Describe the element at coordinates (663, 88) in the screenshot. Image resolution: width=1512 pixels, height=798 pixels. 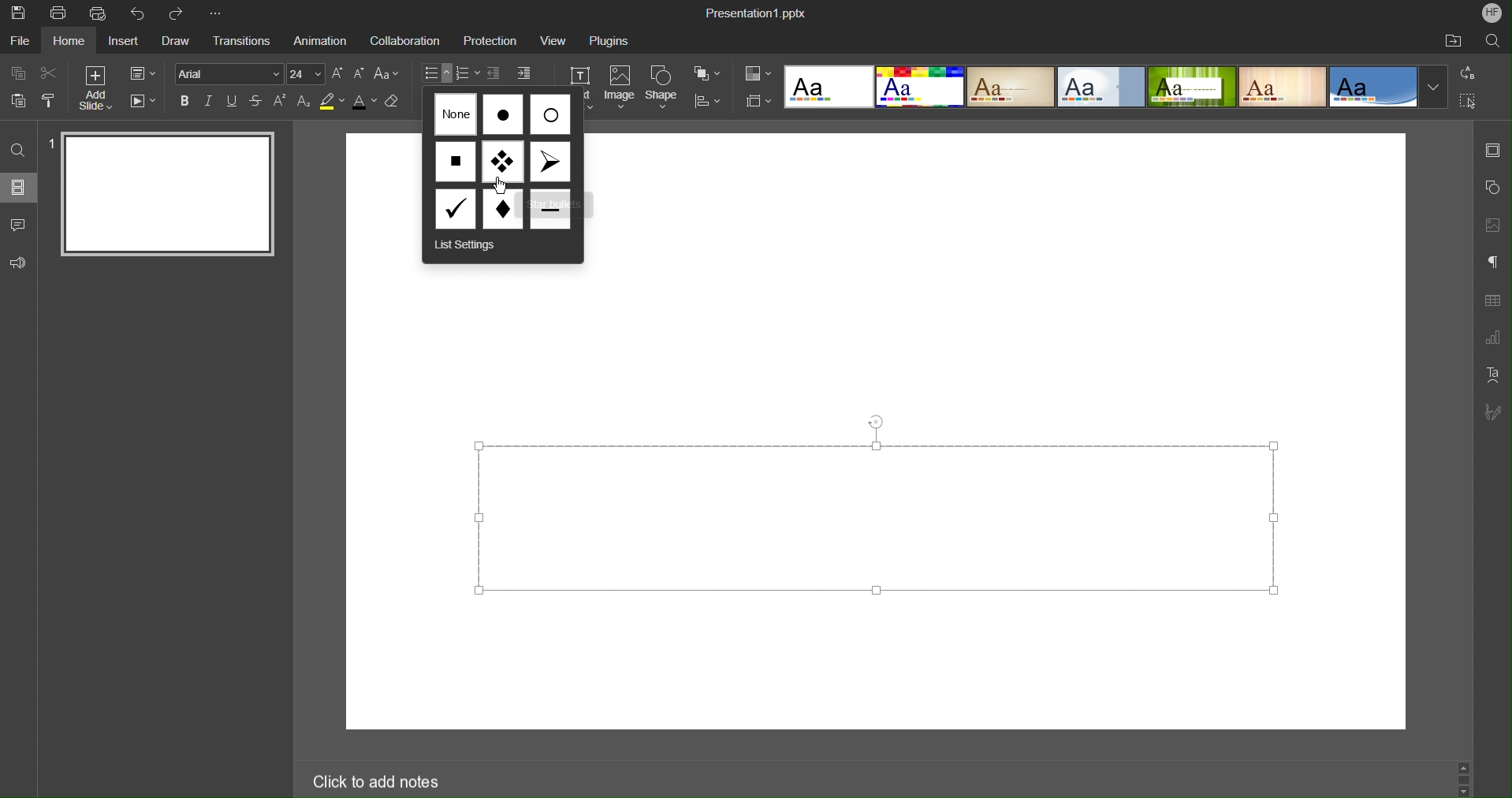
I see `Shape` at that location.